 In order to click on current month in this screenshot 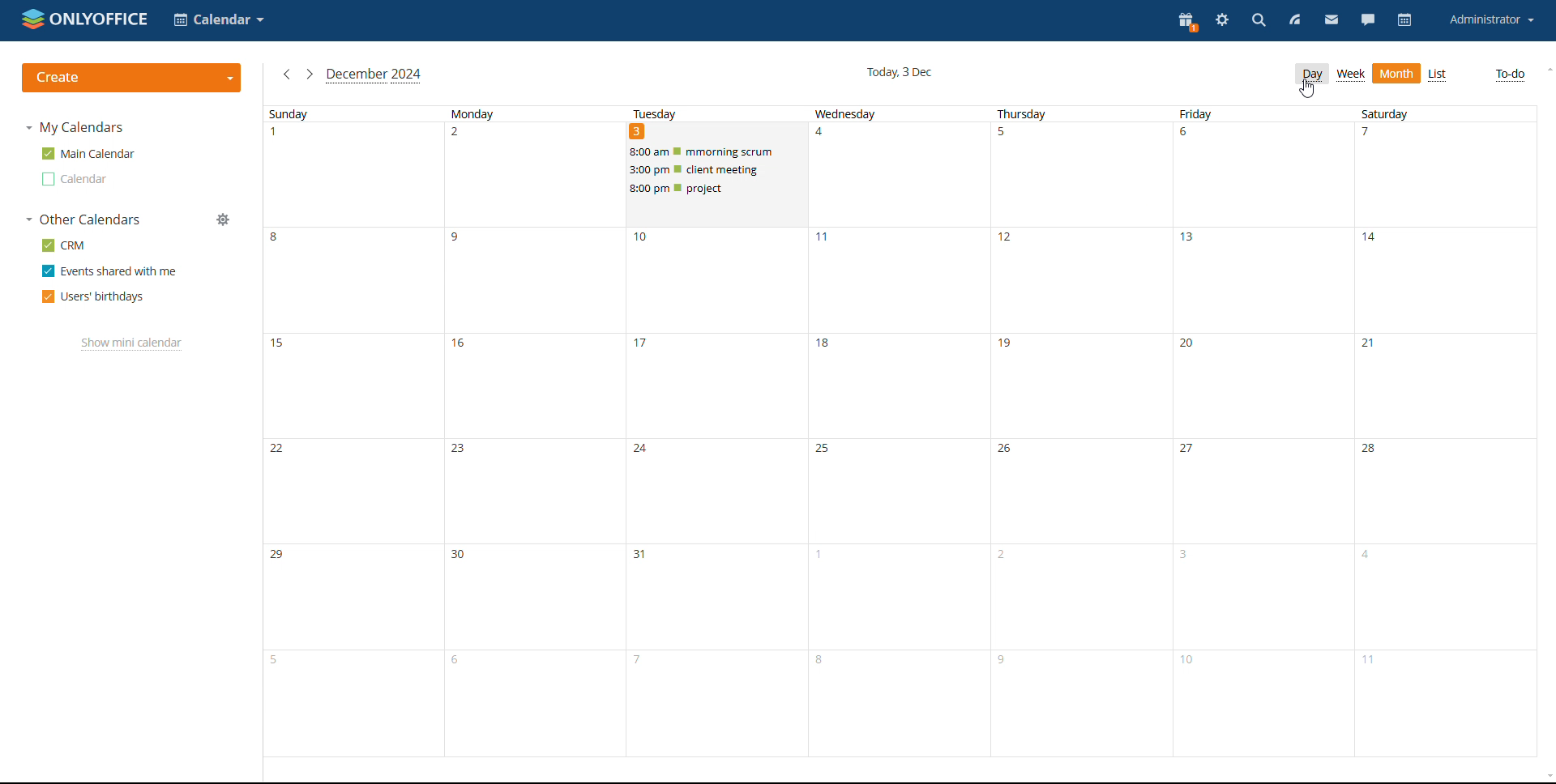, I will do `click(374, 76)`.